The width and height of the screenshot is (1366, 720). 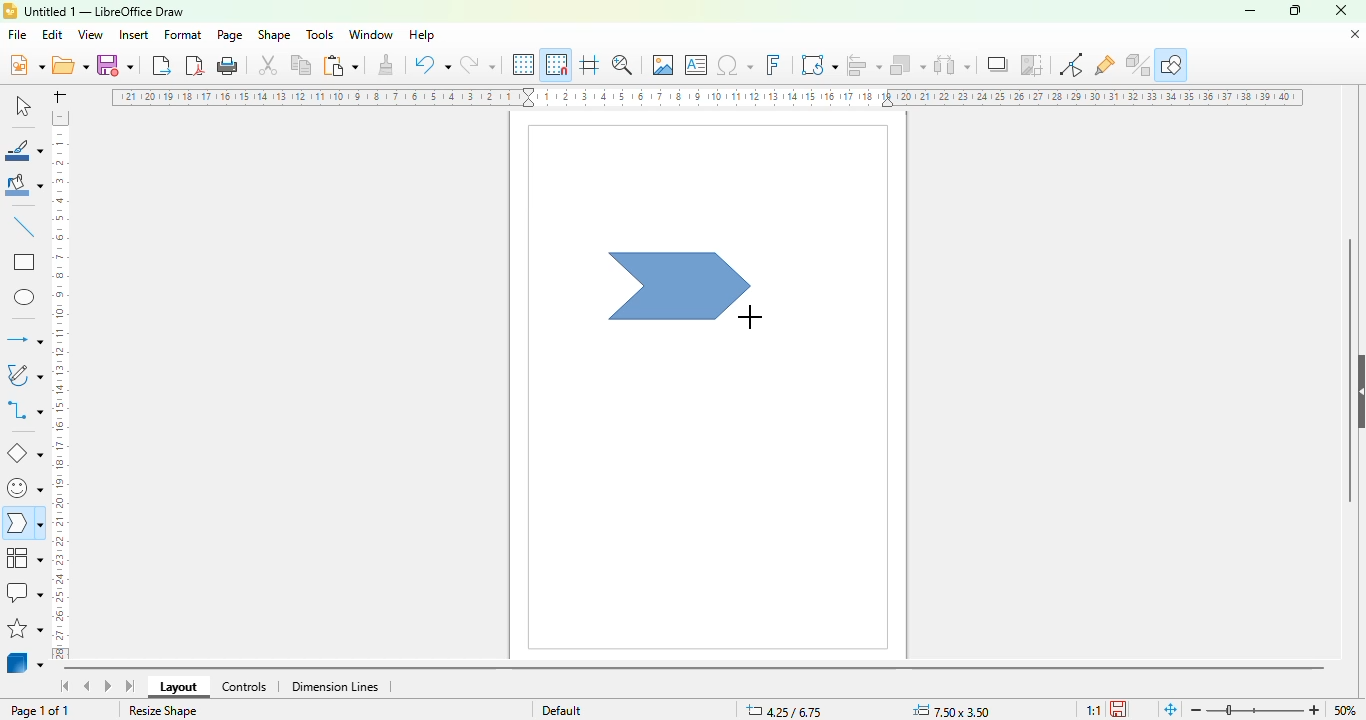 I want to click on drag to, so click(x=750, y=318).